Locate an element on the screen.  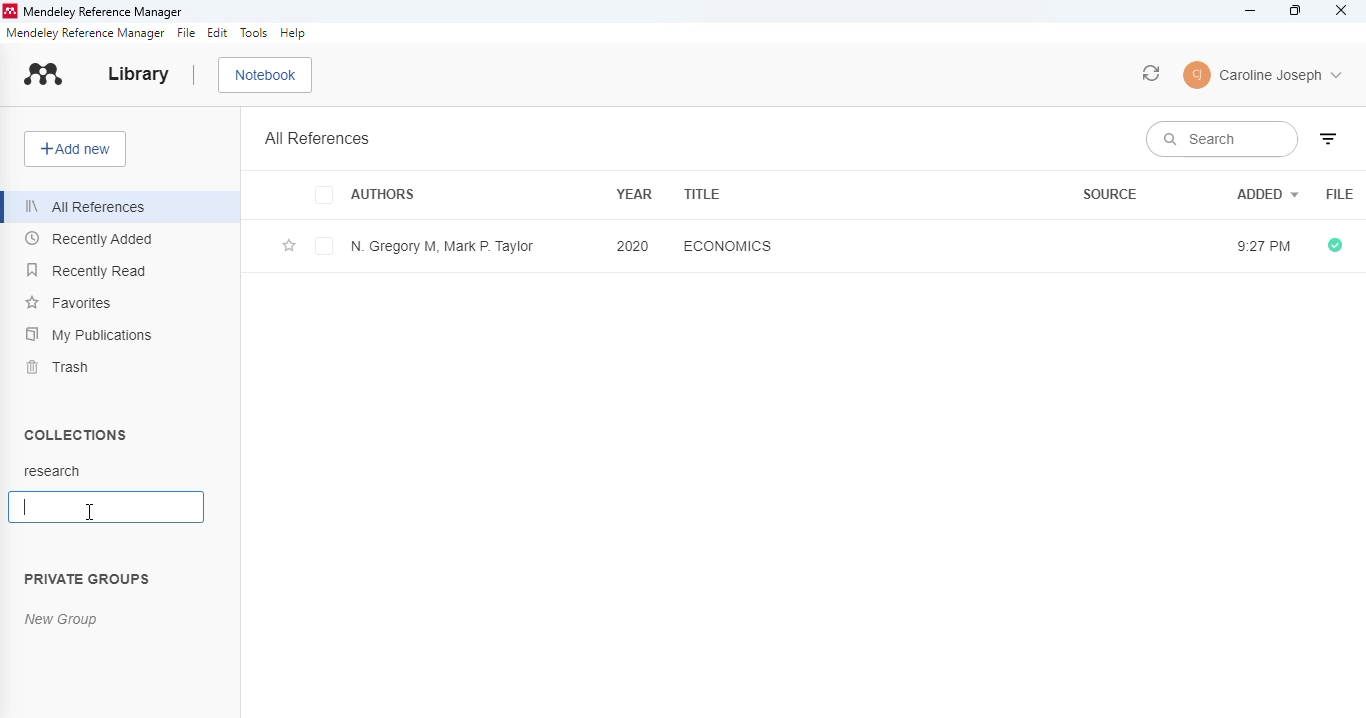
add this reference to favorites is located at coordinates (289, 247).